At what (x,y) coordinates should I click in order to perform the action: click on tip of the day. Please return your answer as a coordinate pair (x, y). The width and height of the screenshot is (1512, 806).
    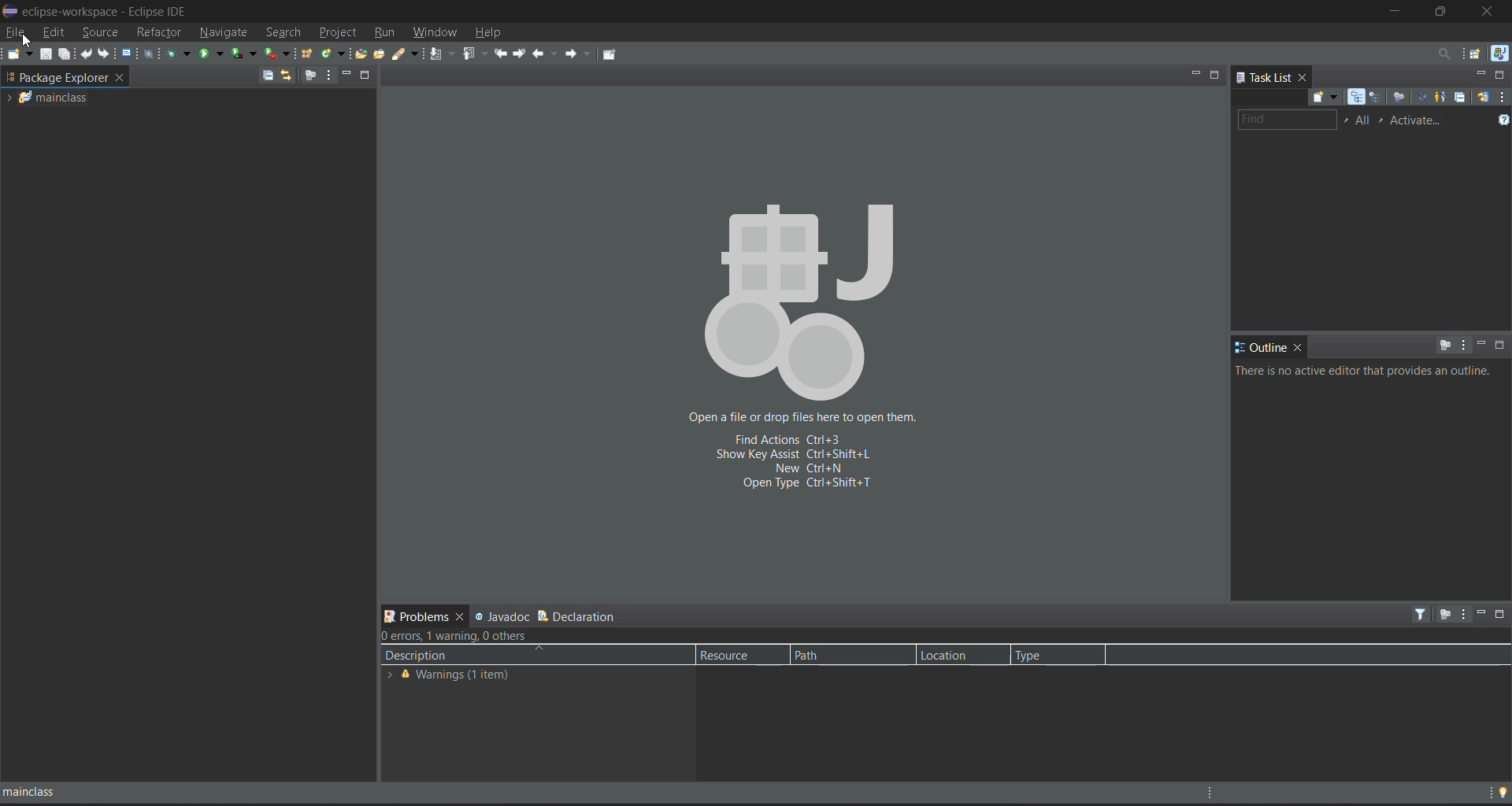
    Looking at the image, I should click on (1501, 788).